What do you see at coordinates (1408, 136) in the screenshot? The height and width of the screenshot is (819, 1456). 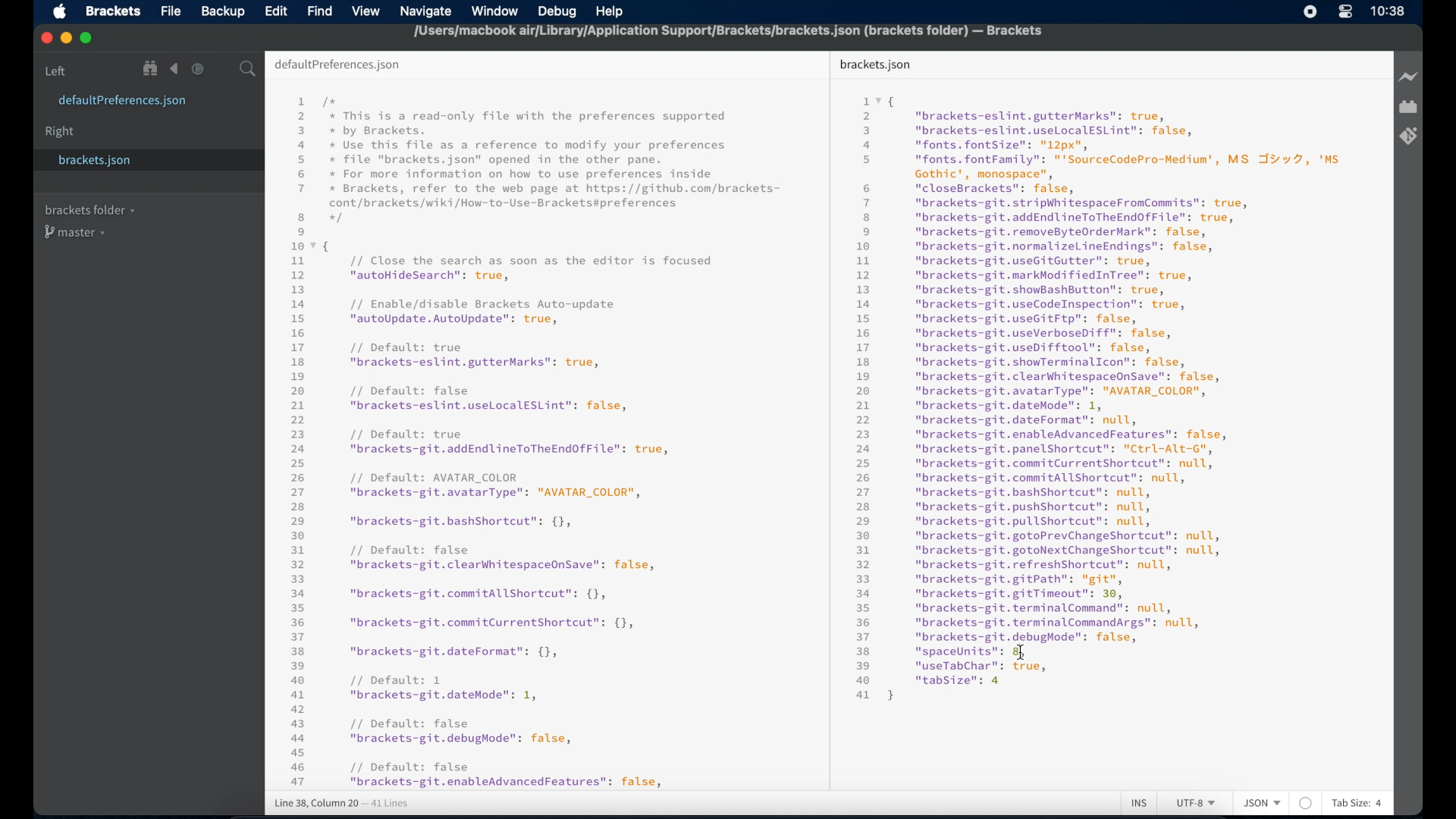 I see `brackets  git extension` at bounding box center [1408, 136].